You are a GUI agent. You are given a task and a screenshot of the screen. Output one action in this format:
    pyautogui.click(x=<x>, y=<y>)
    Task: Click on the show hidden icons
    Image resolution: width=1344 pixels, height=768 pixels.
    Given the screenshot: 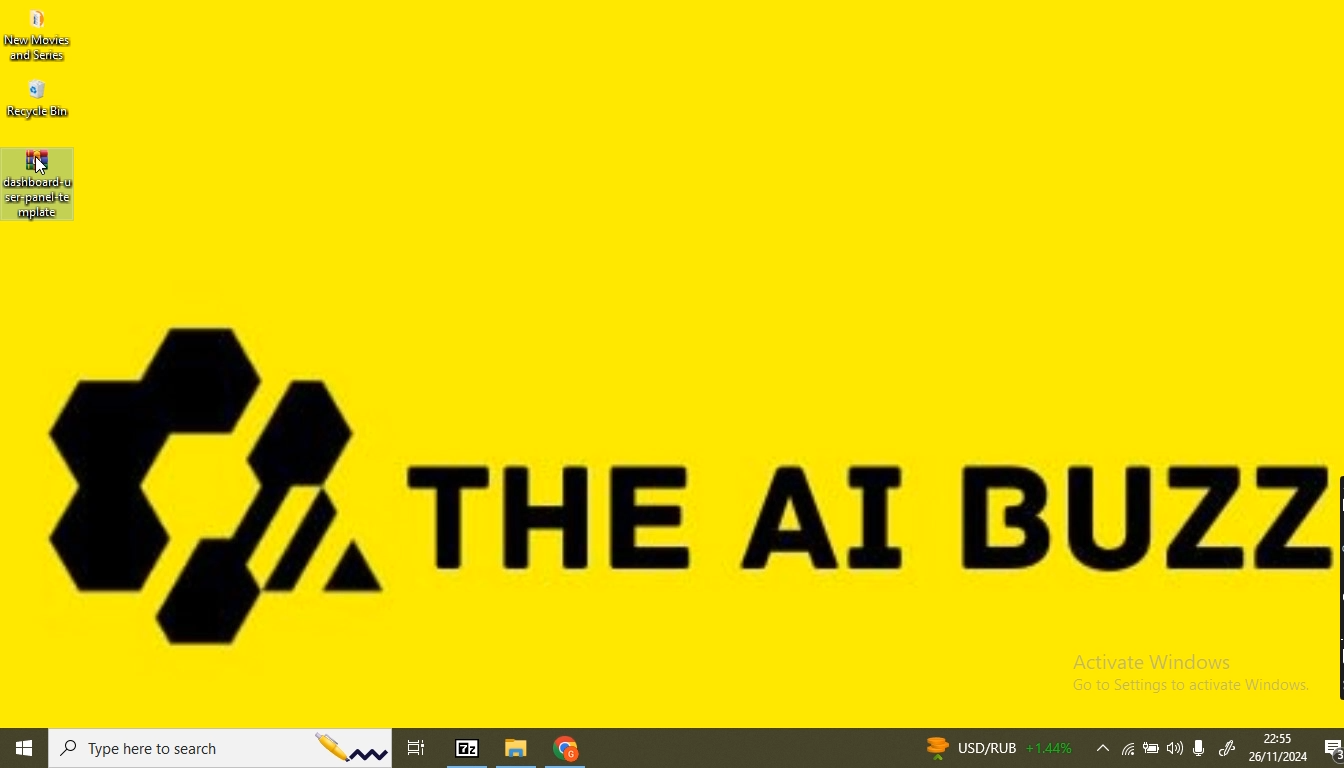 What is the action you would take?
    pyautogui.click(x=1099, y=750)
    